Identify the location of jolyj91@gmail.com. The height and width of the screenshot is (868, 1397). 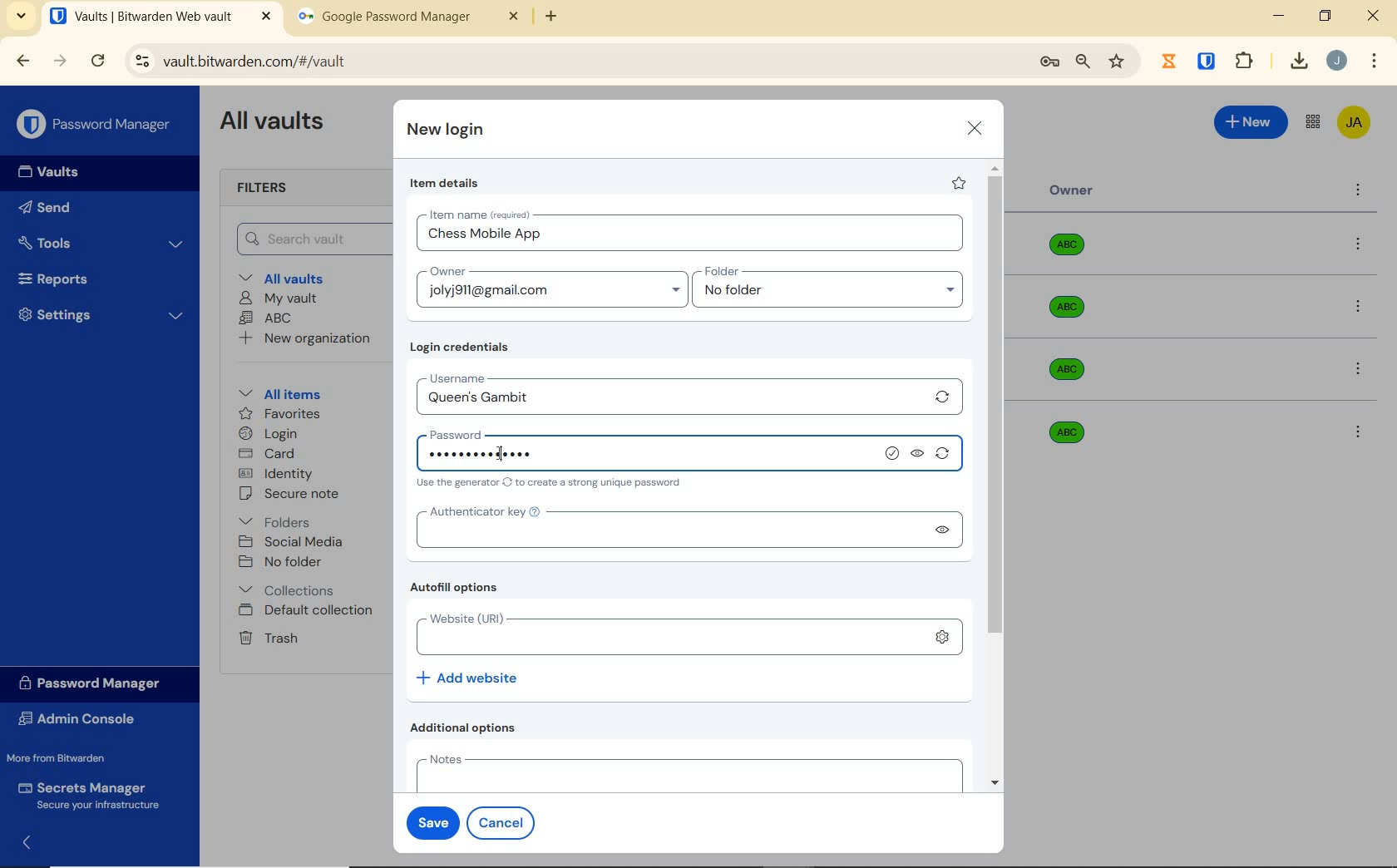
(555, 293).